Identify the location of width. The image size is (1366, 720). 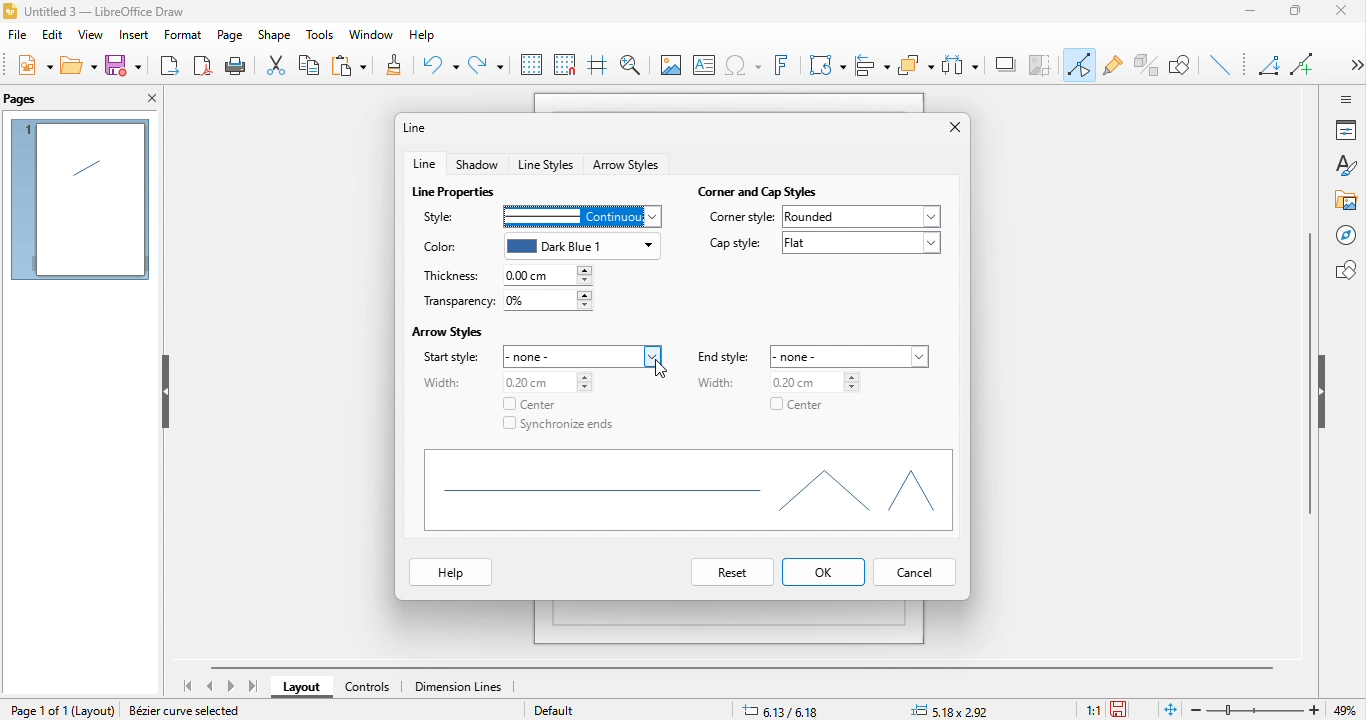
(444, 382).